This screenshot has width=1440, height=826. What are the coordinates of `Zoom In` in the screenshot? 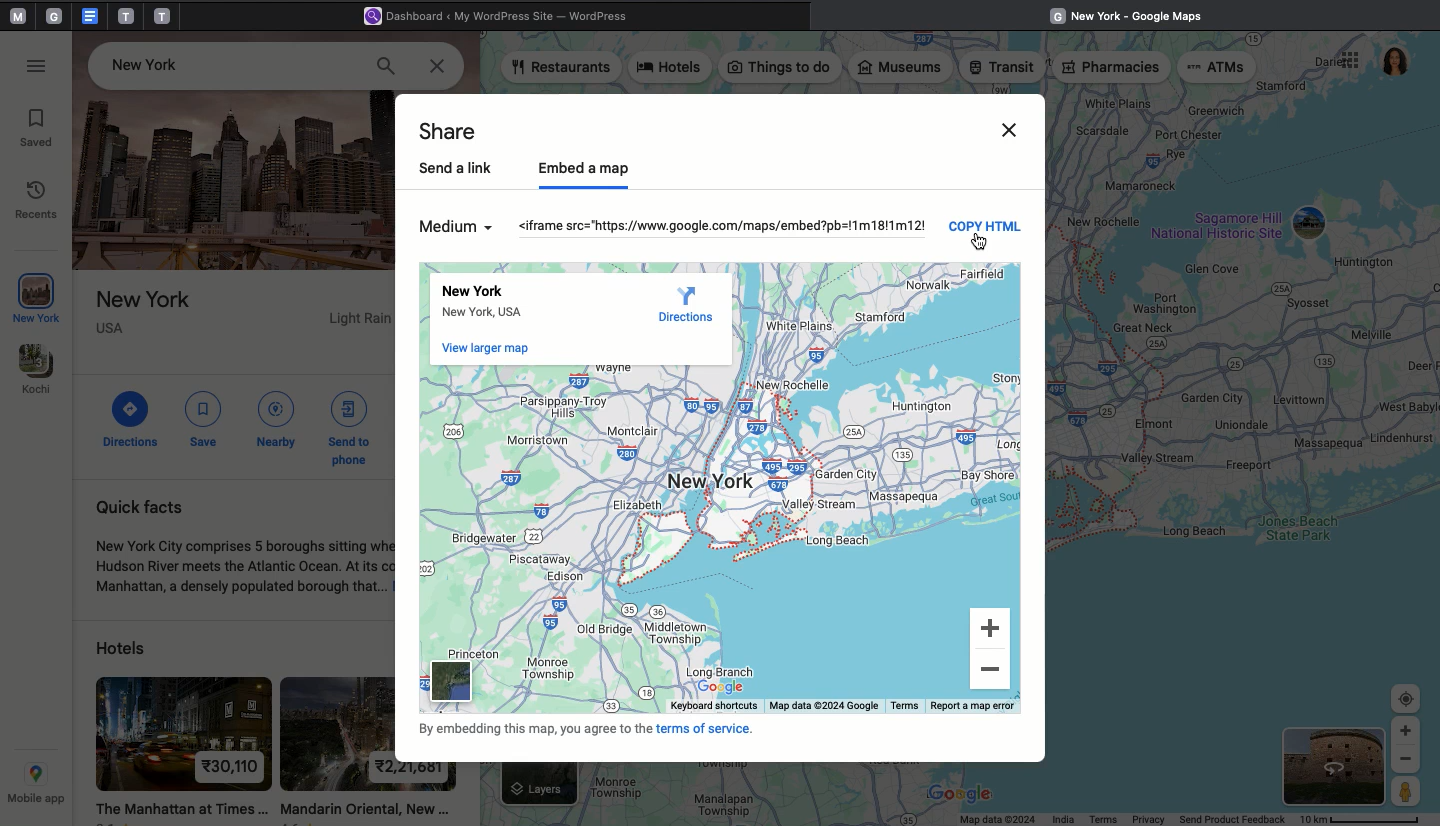 It's located at (994, 628).